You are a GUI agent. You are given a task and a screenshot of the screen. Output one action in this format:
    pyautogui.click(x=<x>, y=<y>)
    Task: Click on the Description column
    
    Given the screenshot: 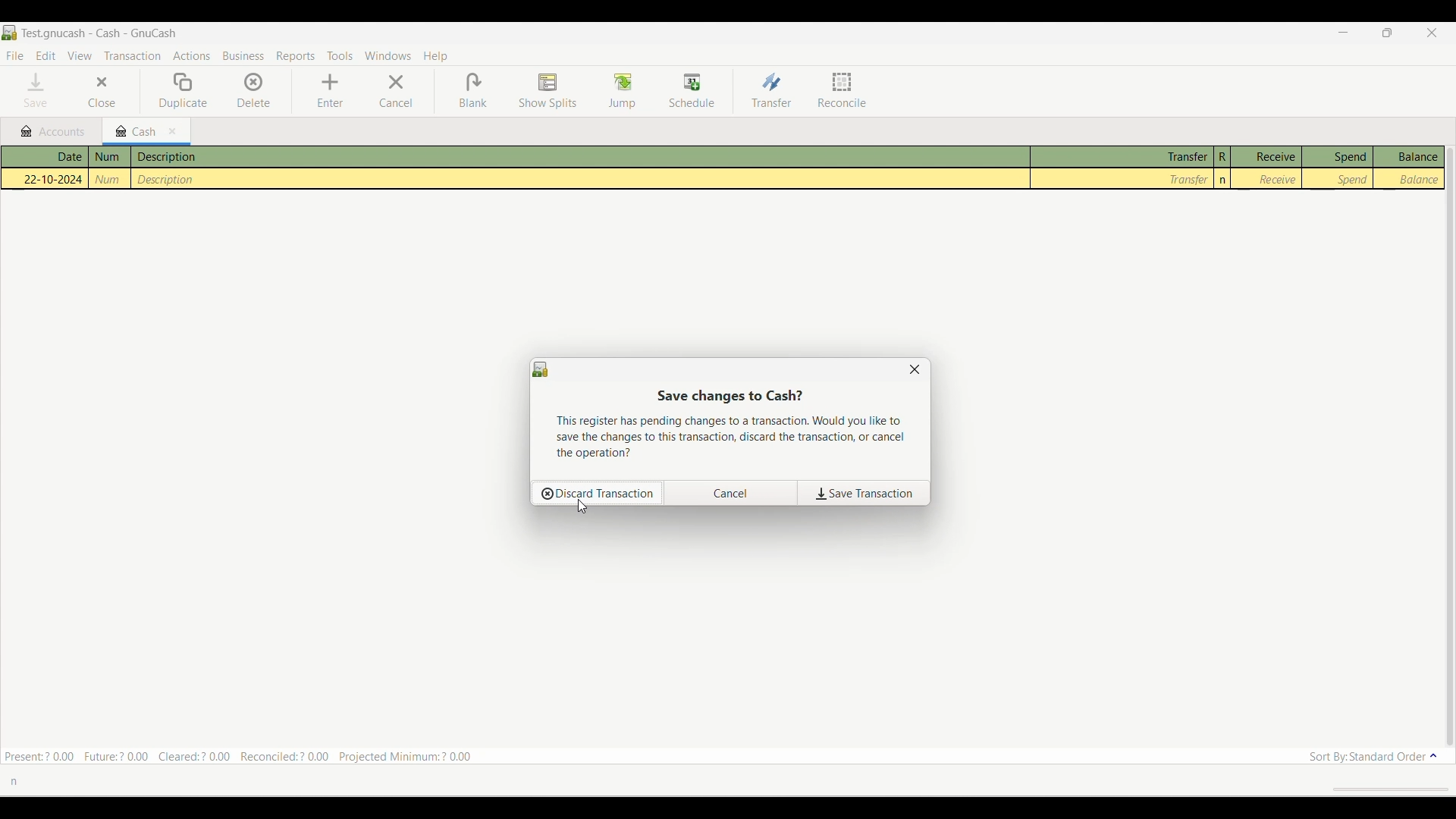 What is the action you would take?
    pyautogui.click(x=582, y=168)
    